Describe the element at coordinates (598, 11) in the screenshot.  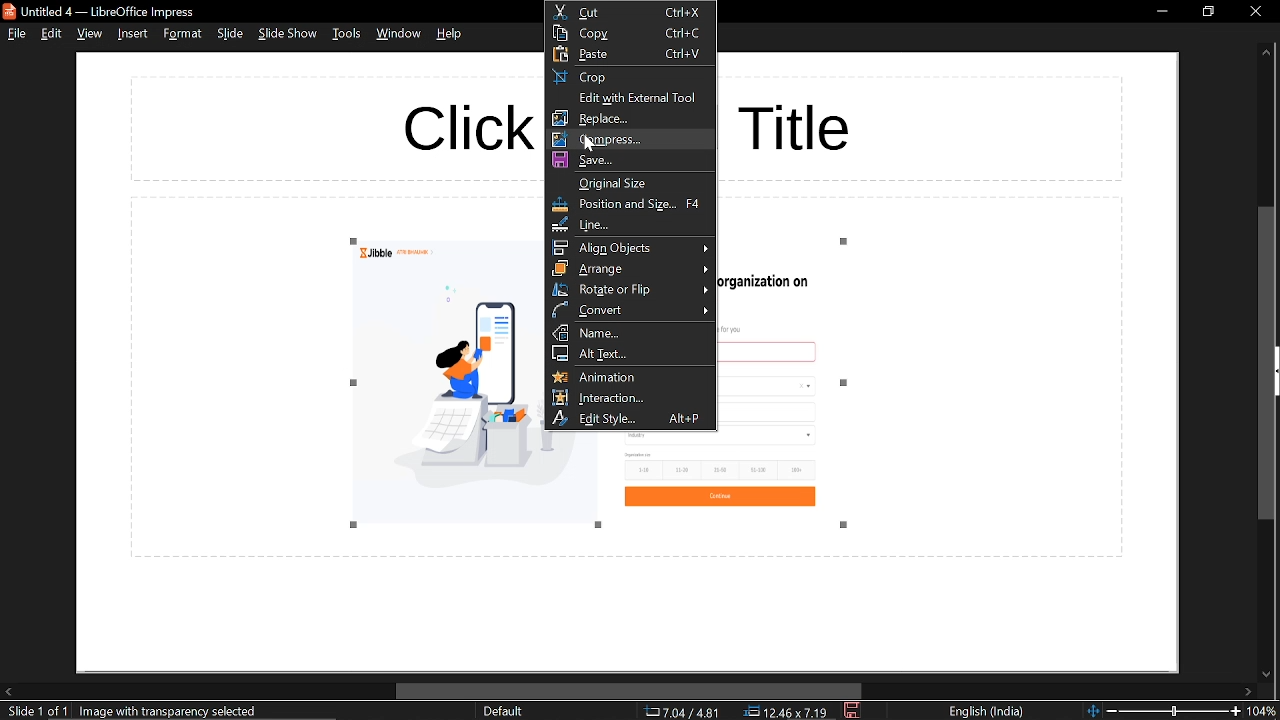
I see `cut` at that location.